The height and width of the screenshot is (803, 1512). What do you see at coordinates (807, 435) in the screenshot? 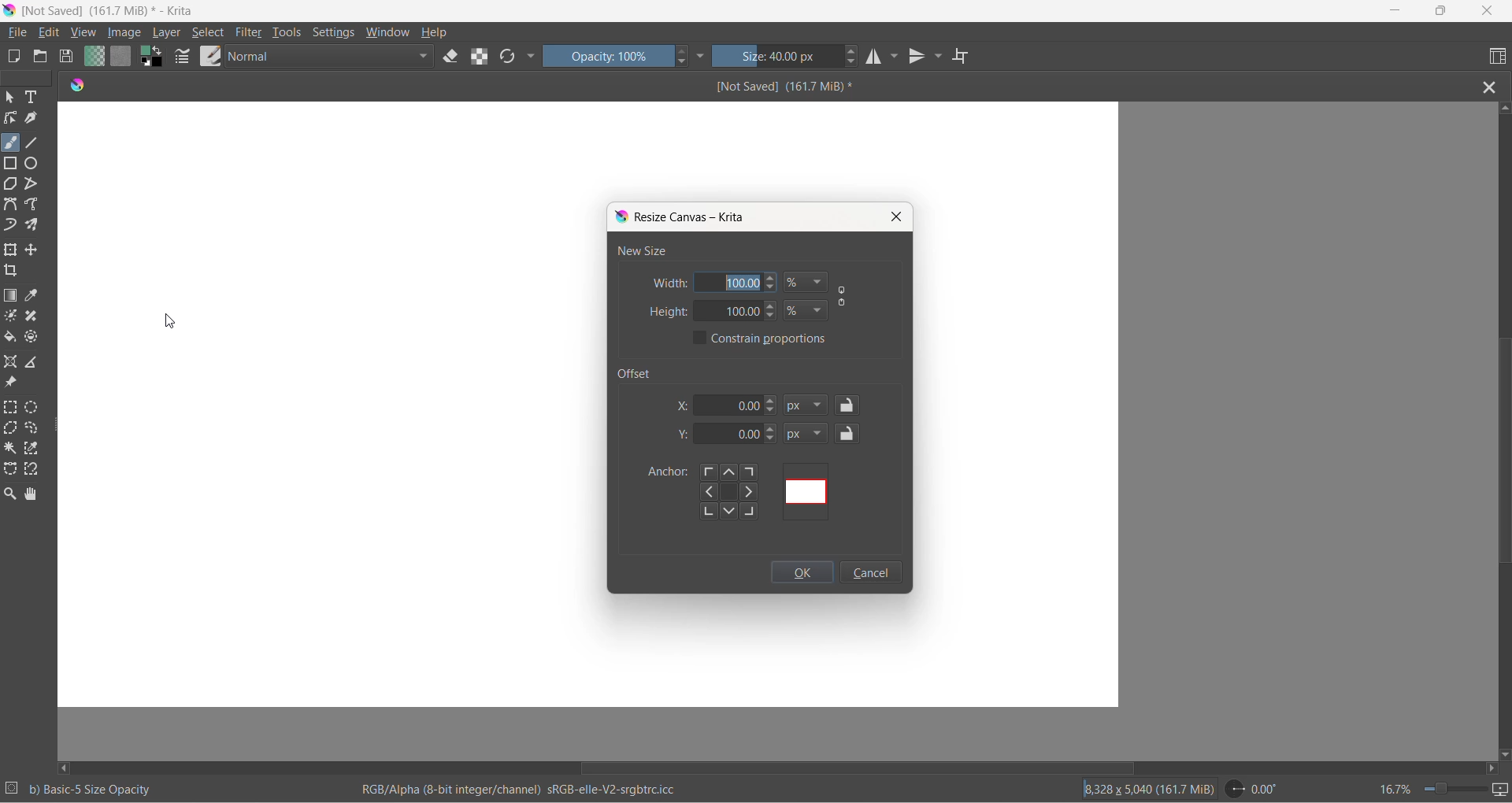
I see `y-axis value type` at bounding box center [807, 435].